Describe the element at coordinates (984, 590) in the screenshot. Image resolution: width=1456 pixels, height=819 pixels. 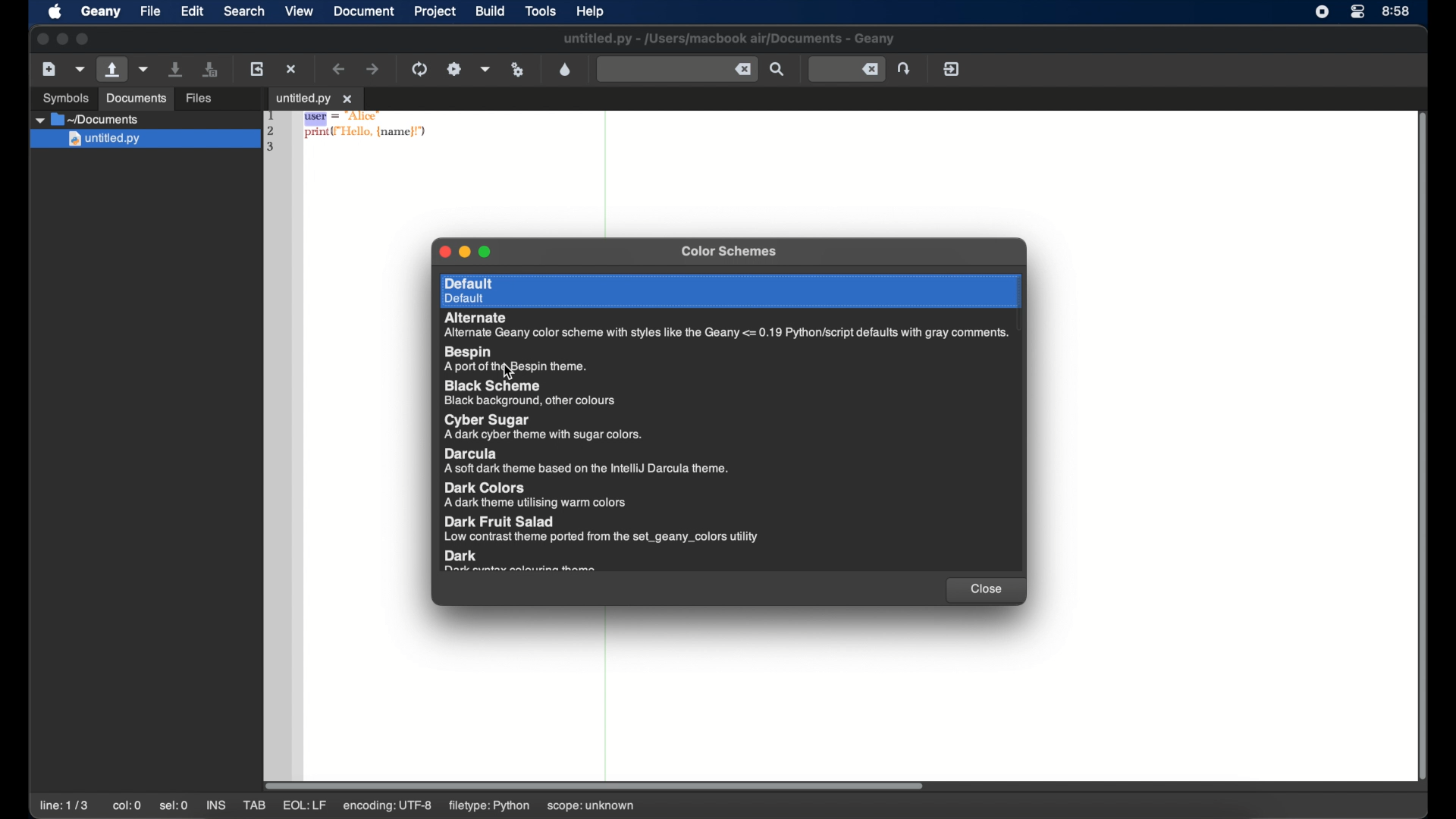
I see `close` at that location.